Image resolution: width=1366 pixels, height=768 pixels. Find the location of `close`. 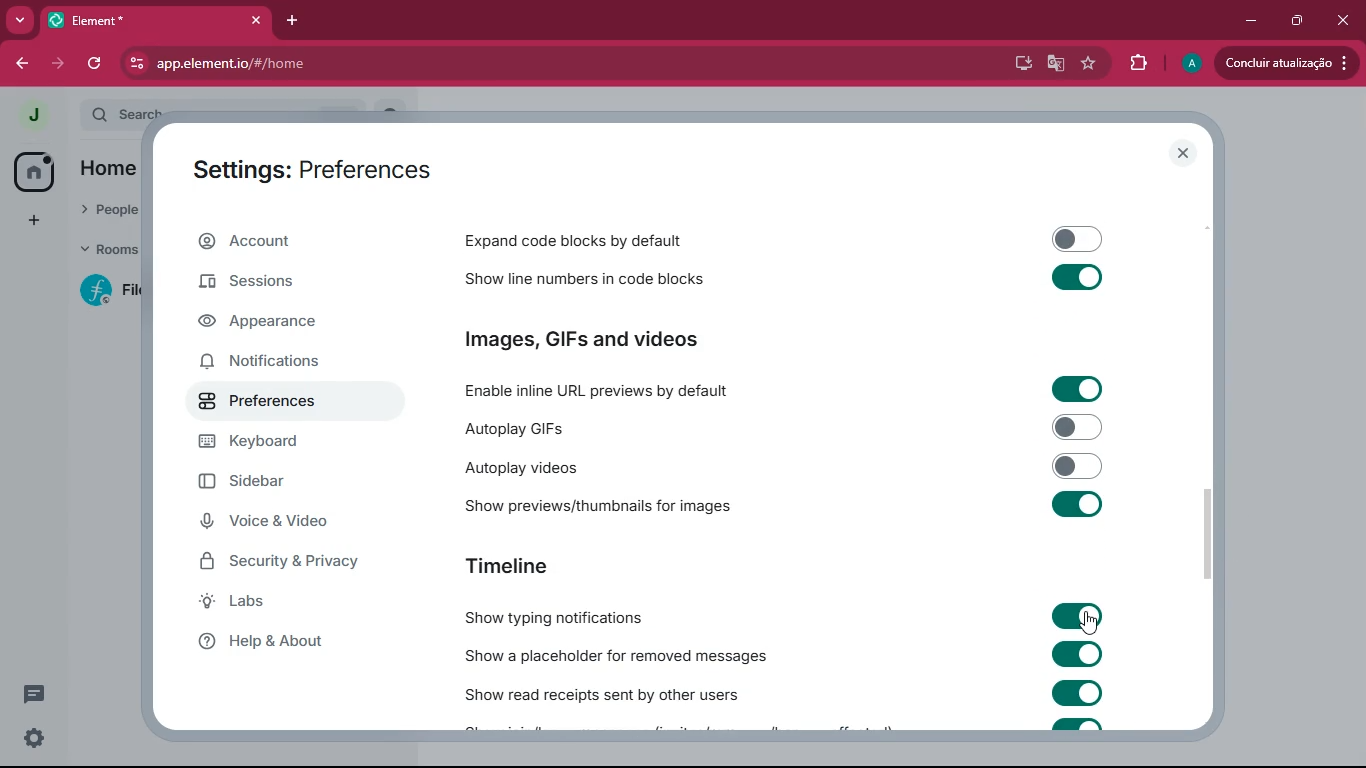

close is located at coordinates (1346, 19).